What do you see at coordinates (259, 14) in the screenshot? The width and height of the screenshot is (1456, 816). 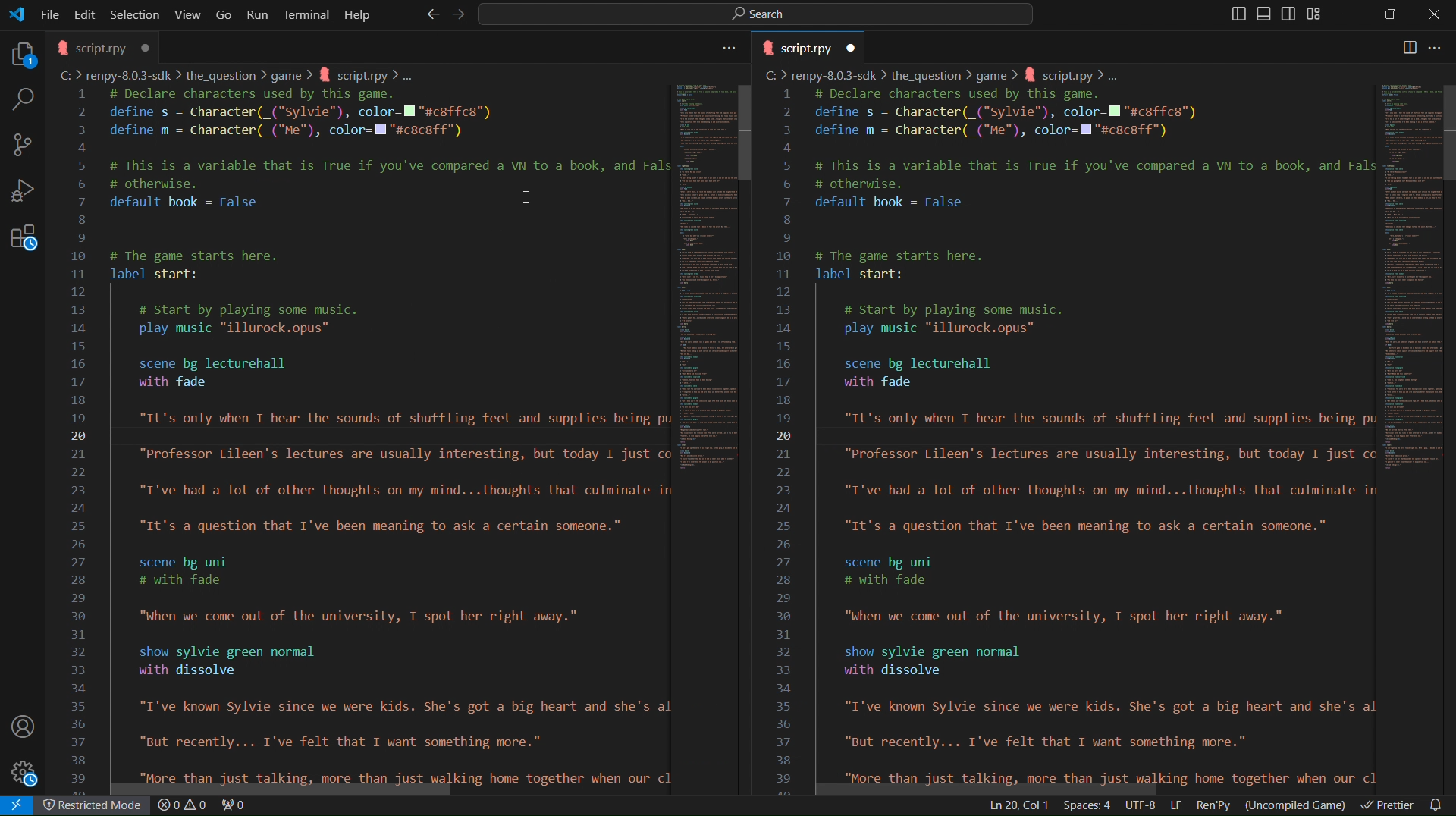 I see `Run` at bounding box center [259, 14].